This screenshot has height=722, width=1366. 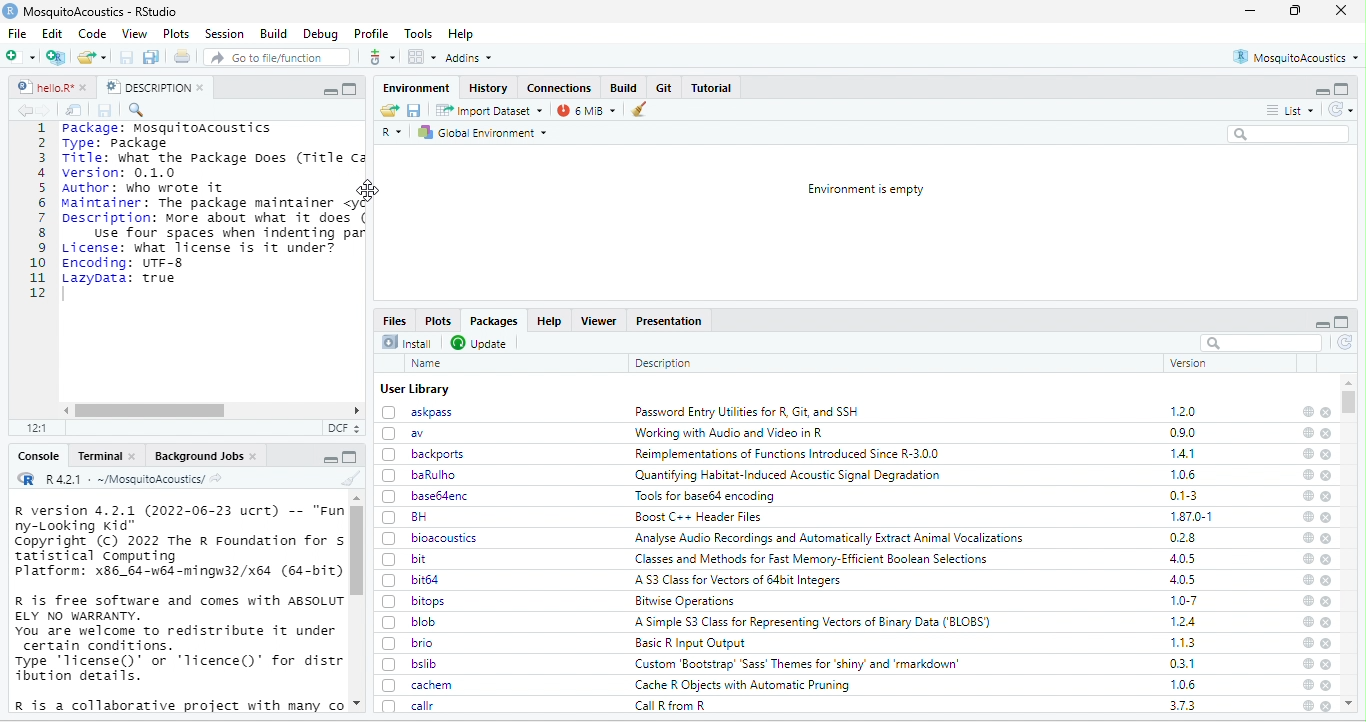 I want to click on save all open documents, so click(x=152, y=57).